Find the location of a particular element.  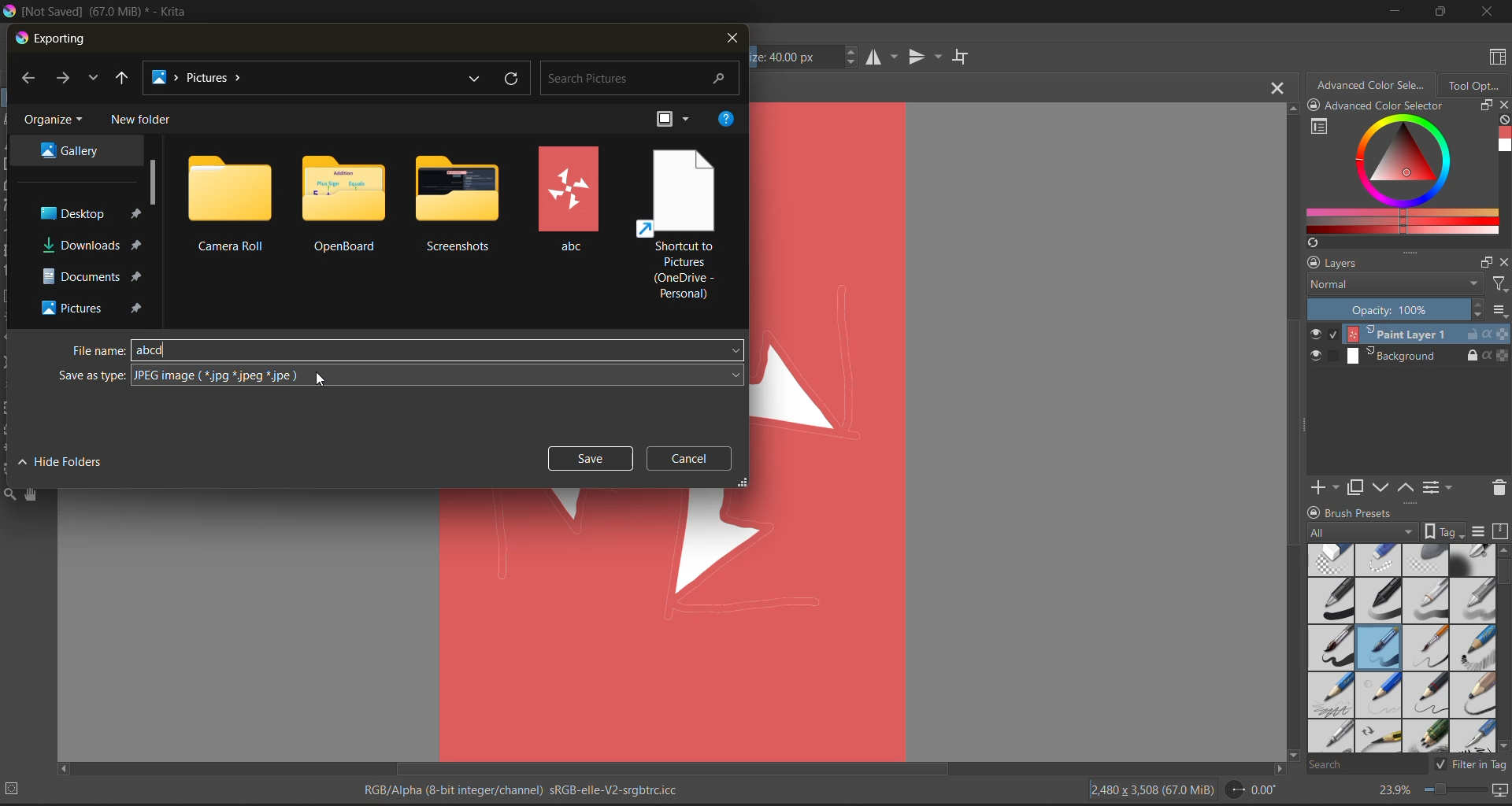

exporting is located at coordinates (56, 39).